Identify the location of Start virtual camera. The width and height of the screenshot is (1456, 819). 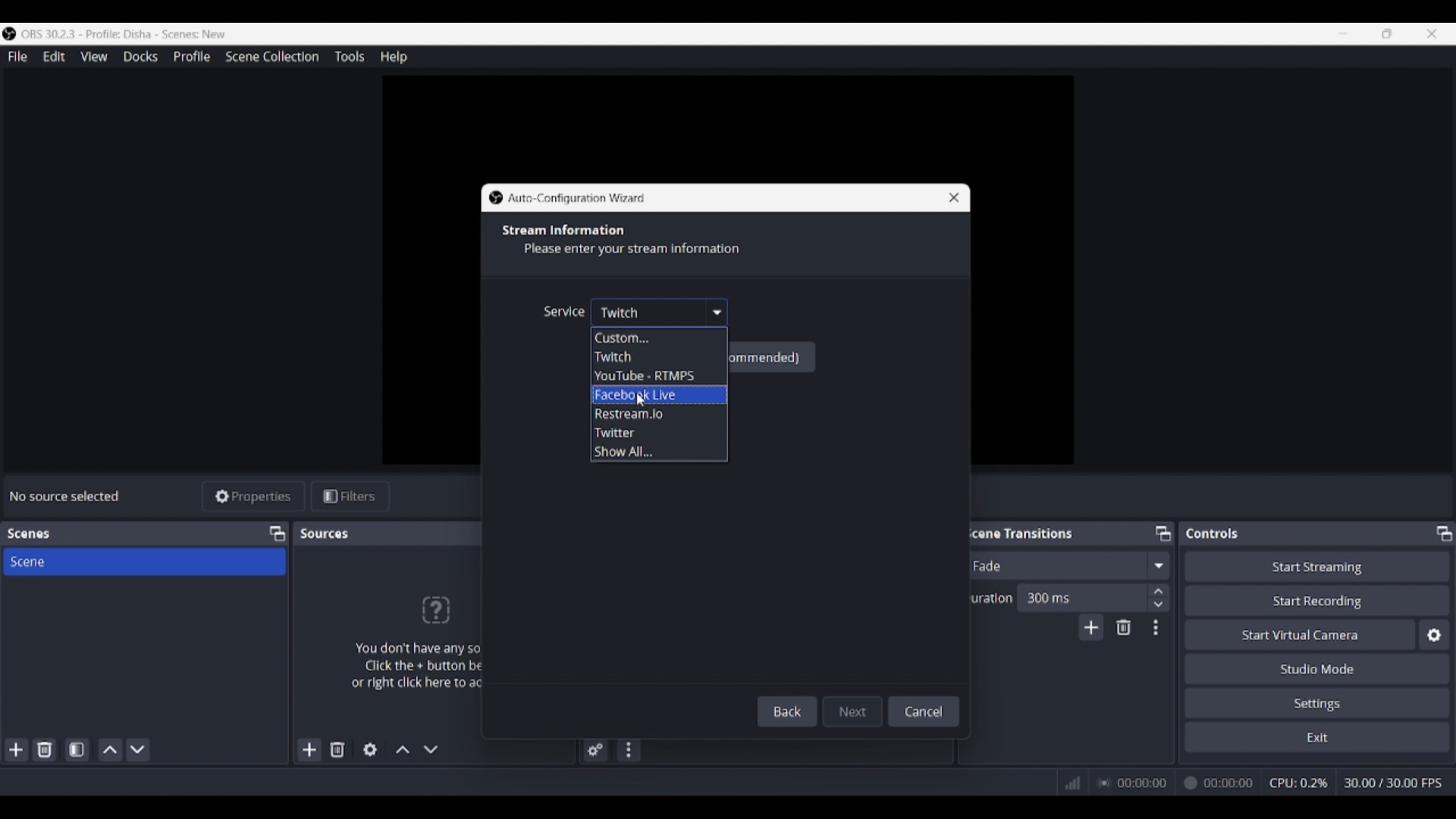
(1300, 634).